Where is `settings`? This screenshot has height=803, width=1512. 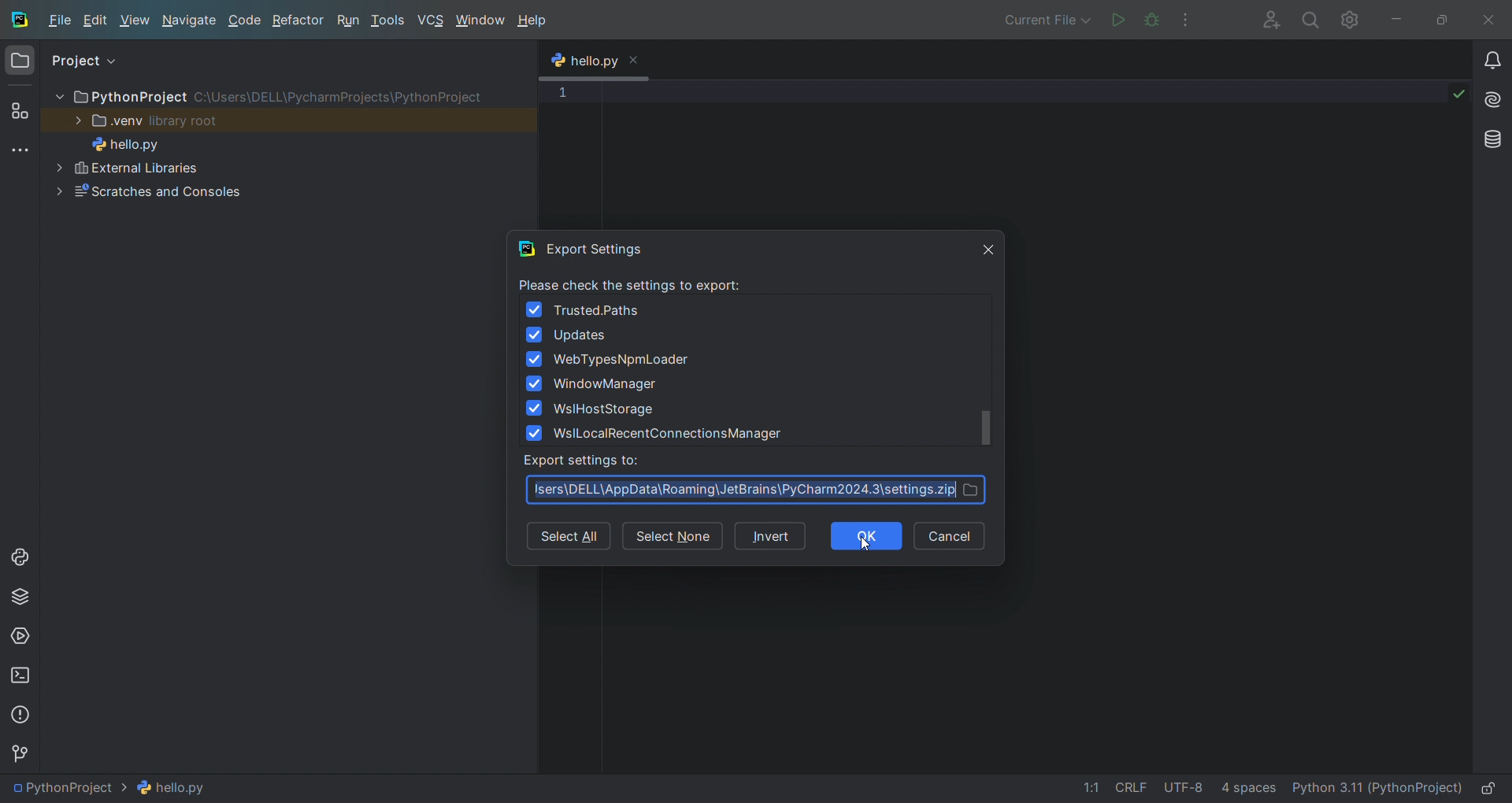
settings is located at coordinates (1351, 18).